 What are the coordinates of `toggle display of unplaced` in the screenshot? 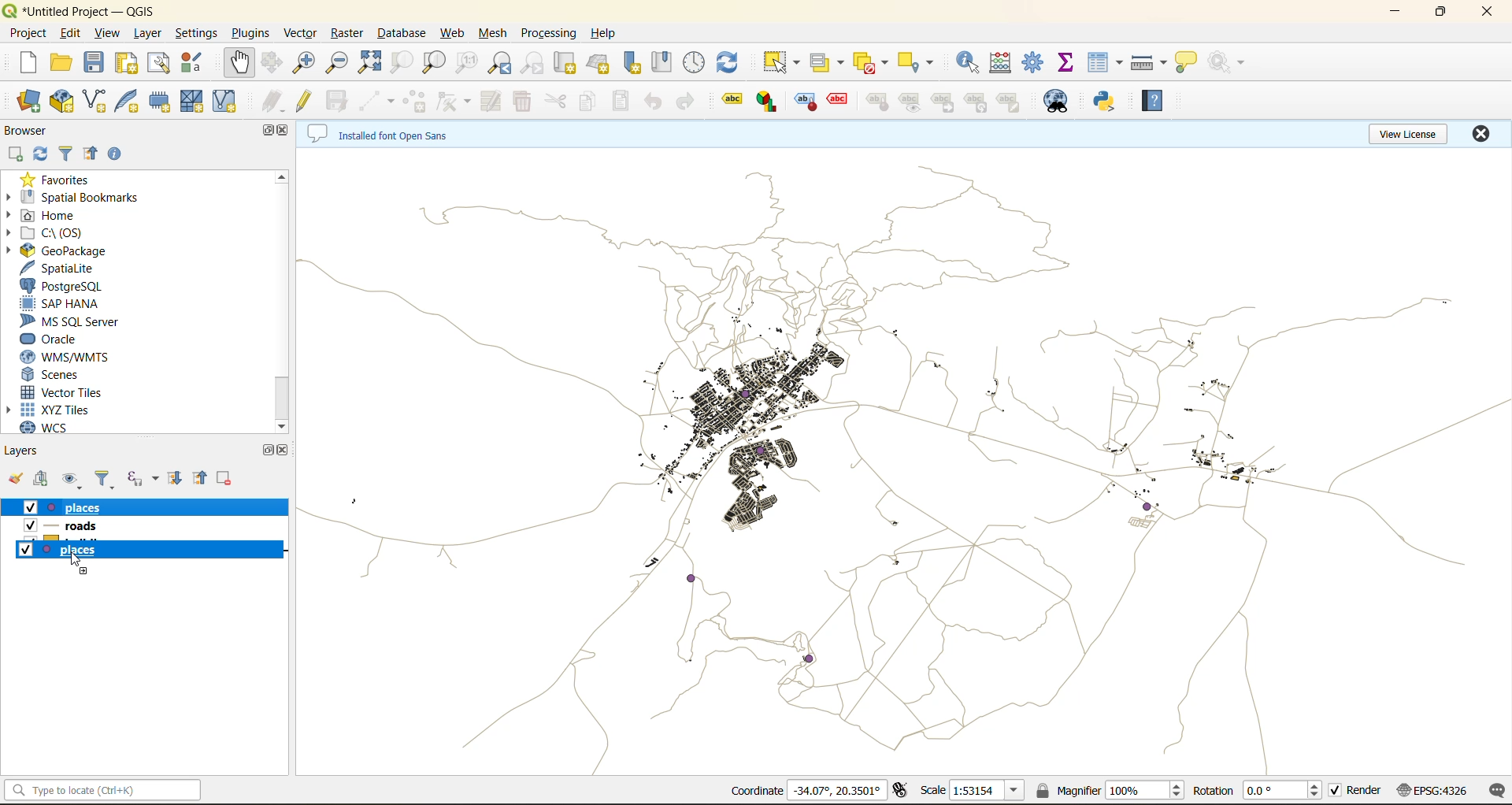 It's located at (836, 102).